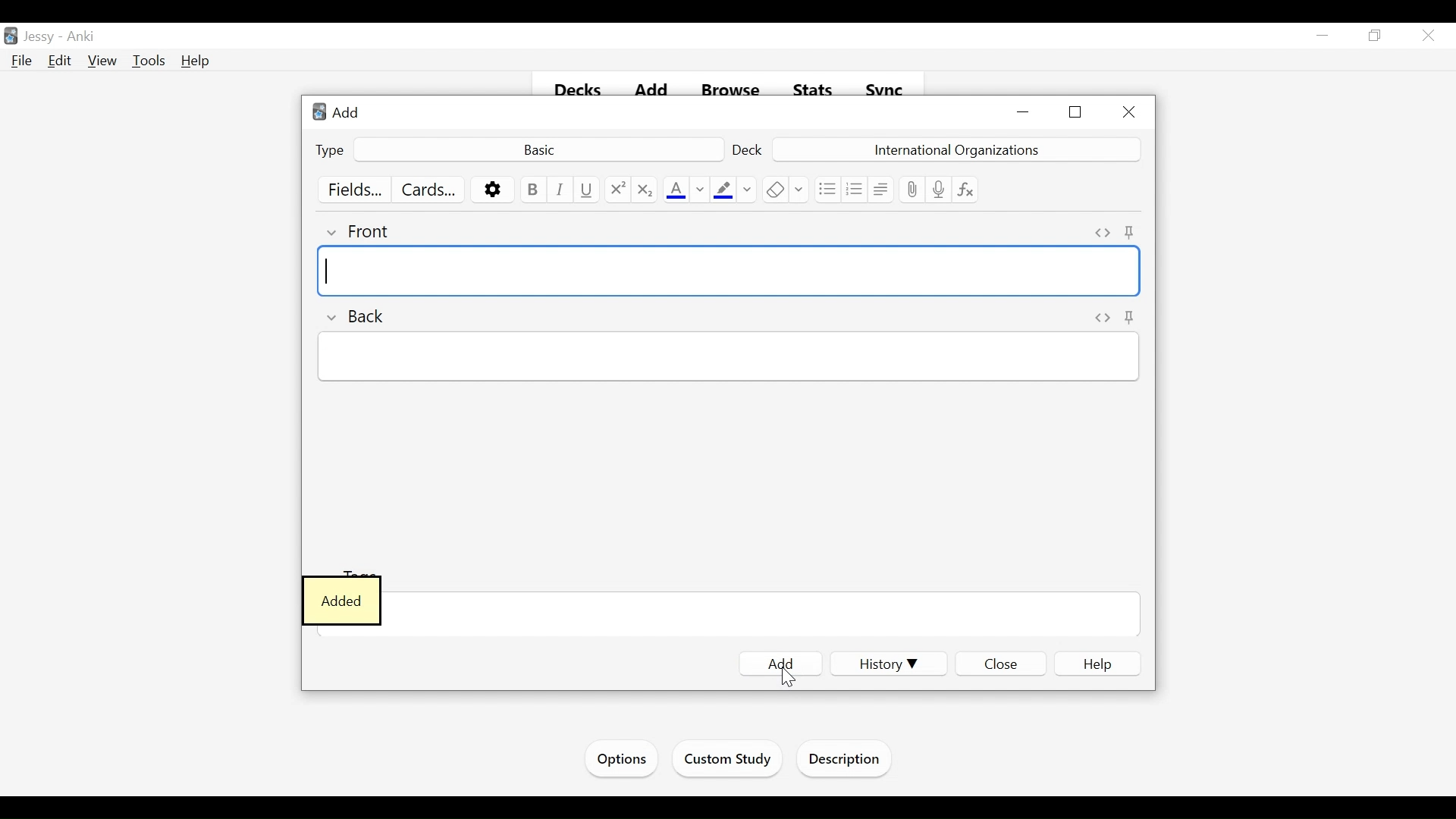 The width and height of the screenshot is (1456, 819). I want to click on Tags Field, so click(764, 615).